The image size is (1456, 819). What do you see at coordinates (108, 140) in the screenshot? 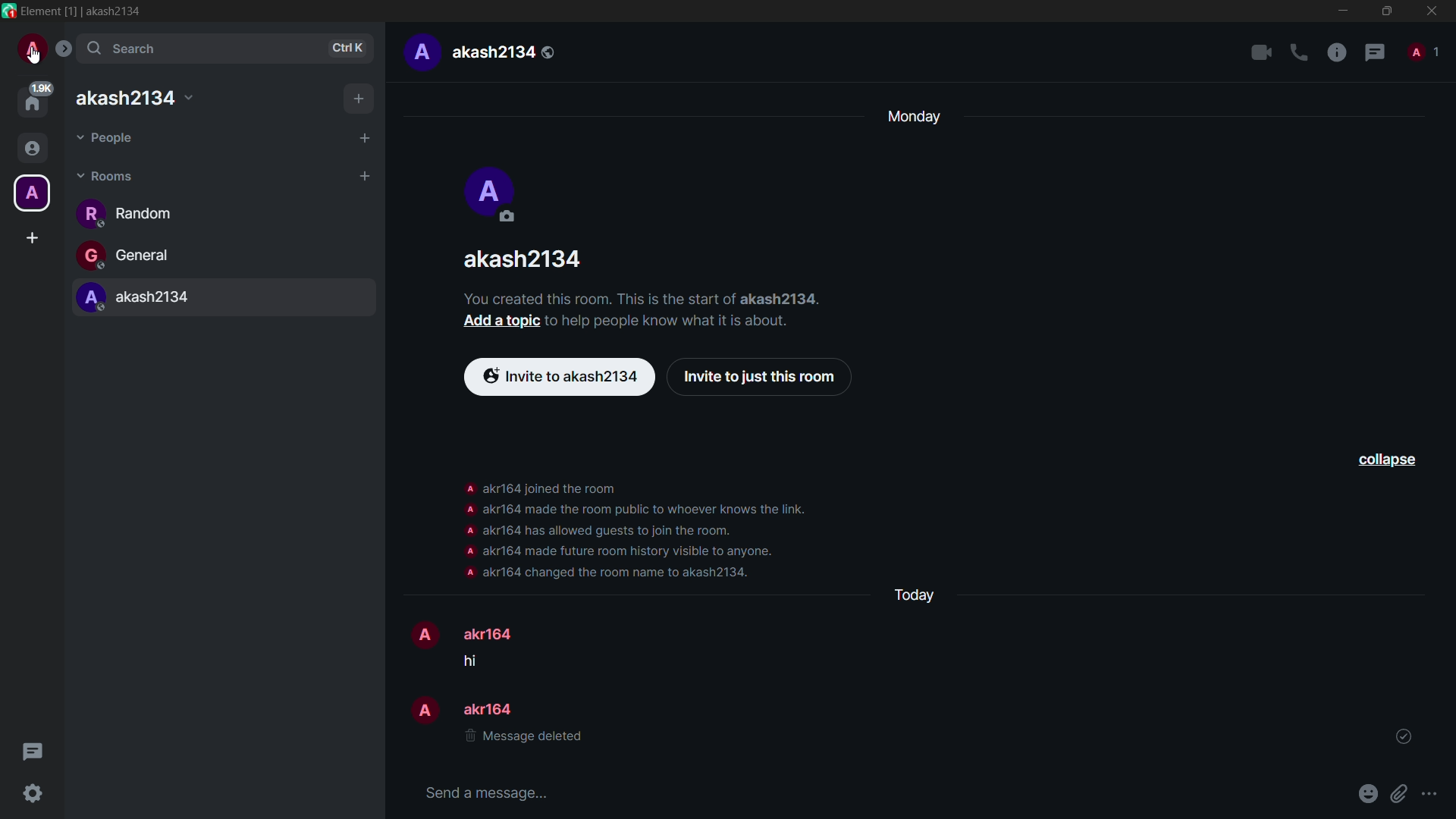
I see `people` at bounding box center [108, 140].